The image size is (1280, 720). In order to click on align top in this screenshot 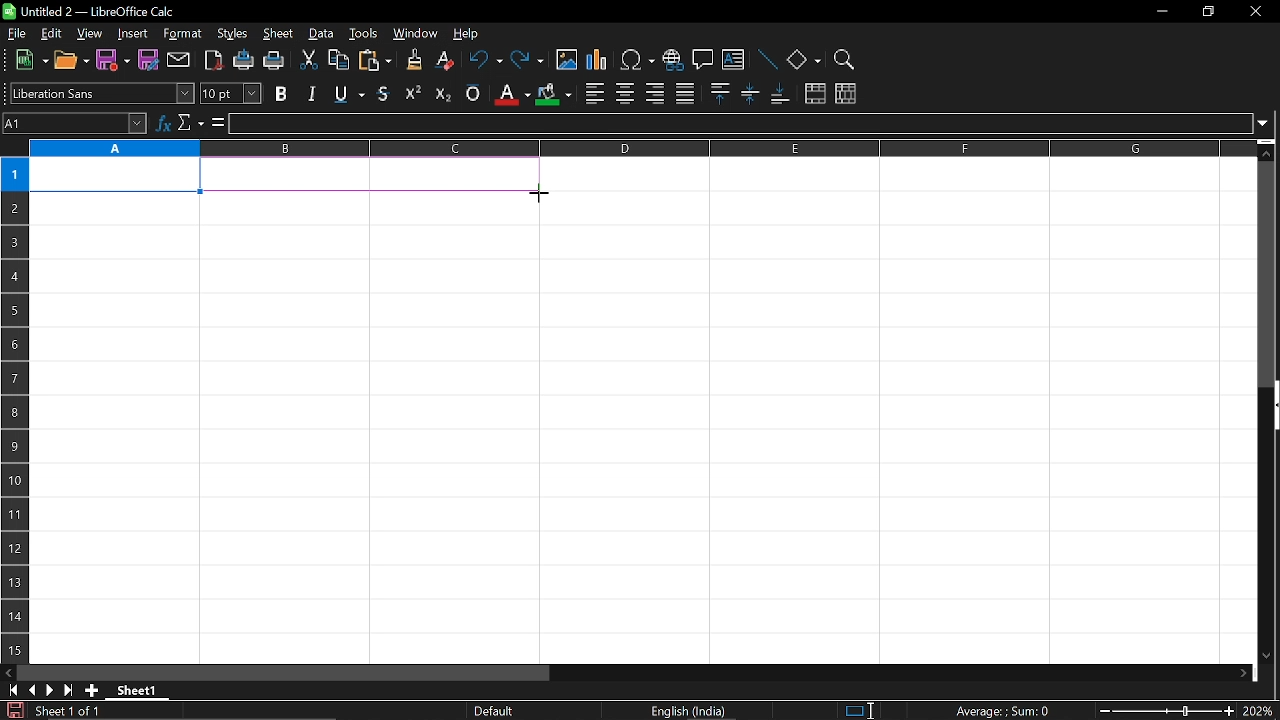, I will do `click(719, 94)`.